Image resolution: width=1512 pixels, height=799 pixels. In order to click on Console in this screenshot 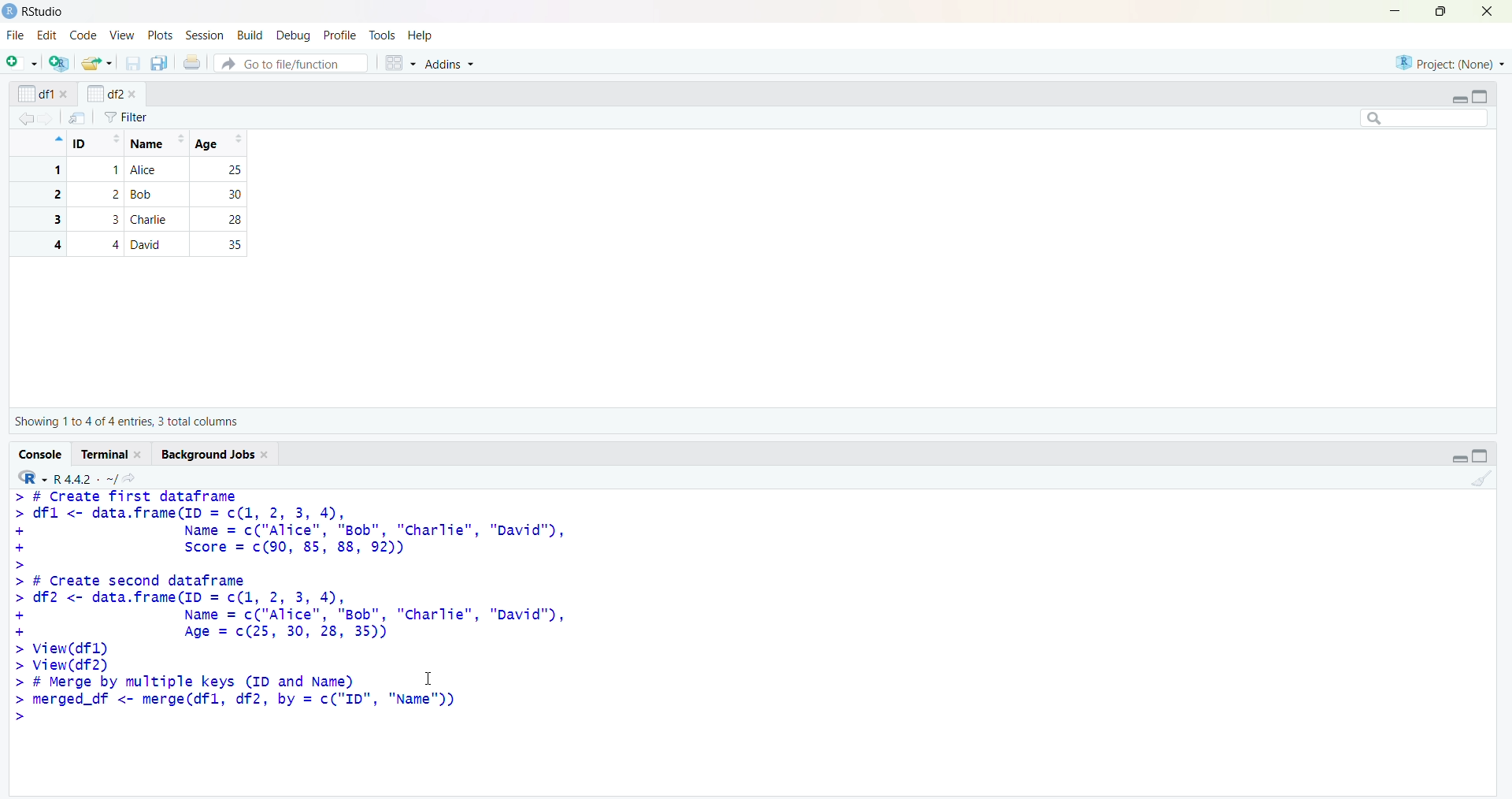, I will do `click(42, 455)`.